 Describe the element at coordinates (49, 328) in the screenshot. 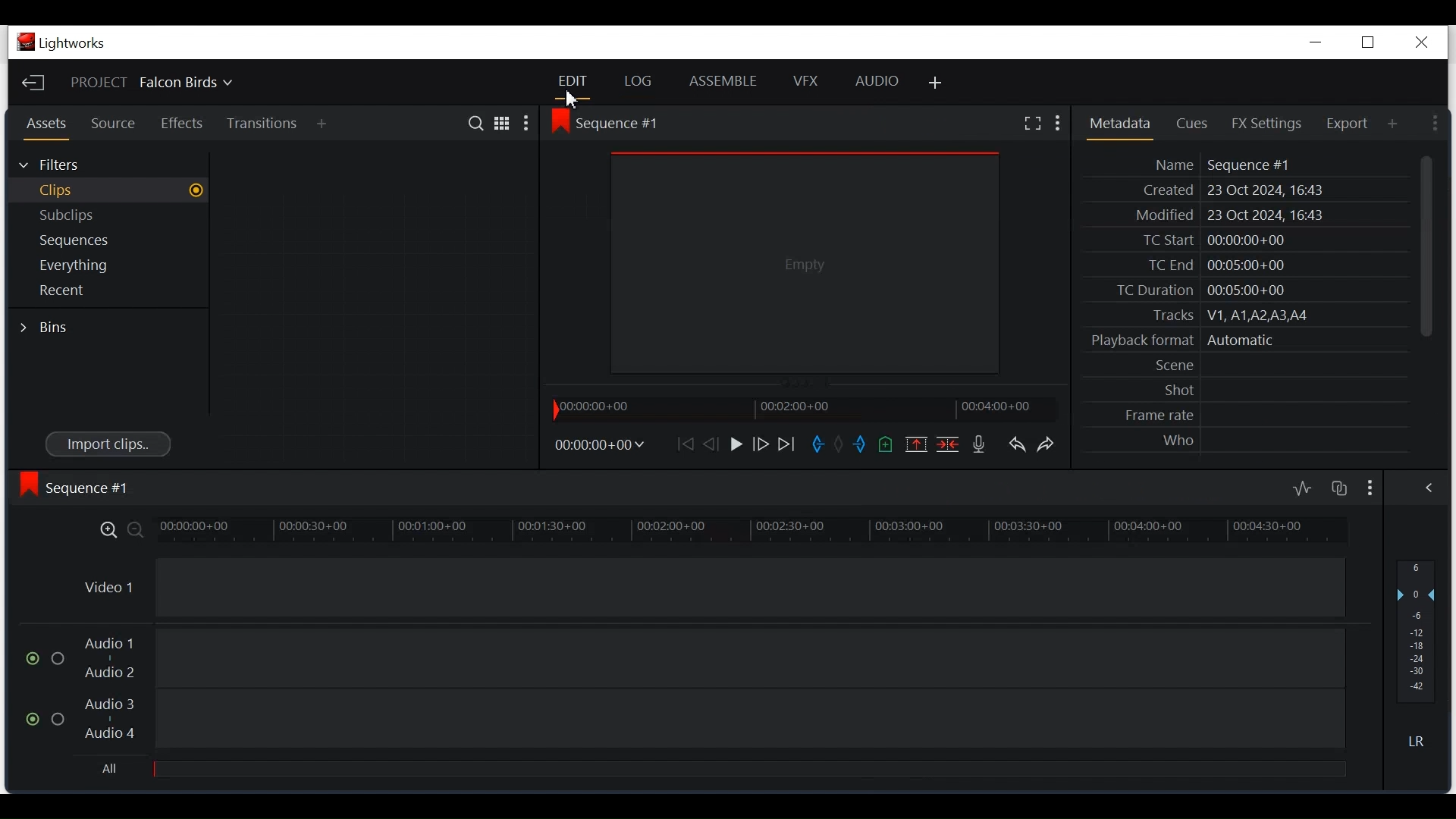

I see `Bins` at that location.